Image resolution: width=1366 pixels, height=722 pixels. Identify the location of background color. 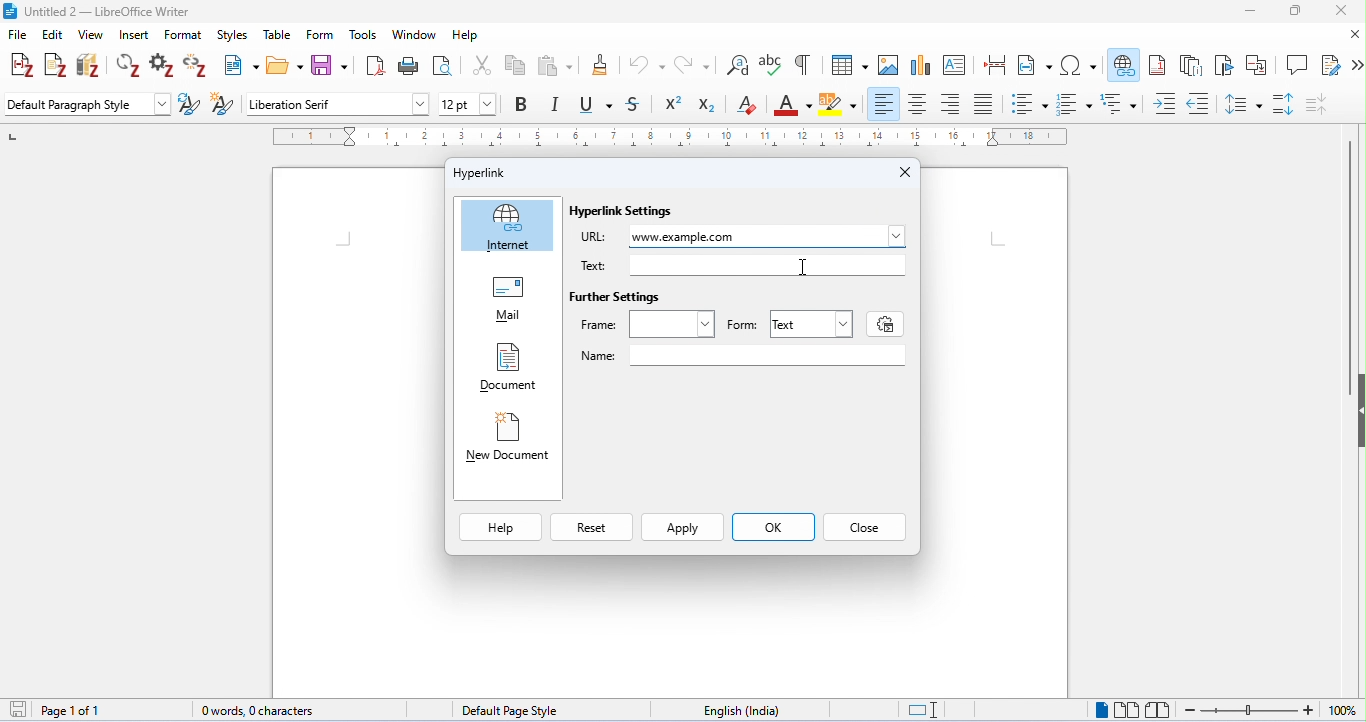
(840, 105).